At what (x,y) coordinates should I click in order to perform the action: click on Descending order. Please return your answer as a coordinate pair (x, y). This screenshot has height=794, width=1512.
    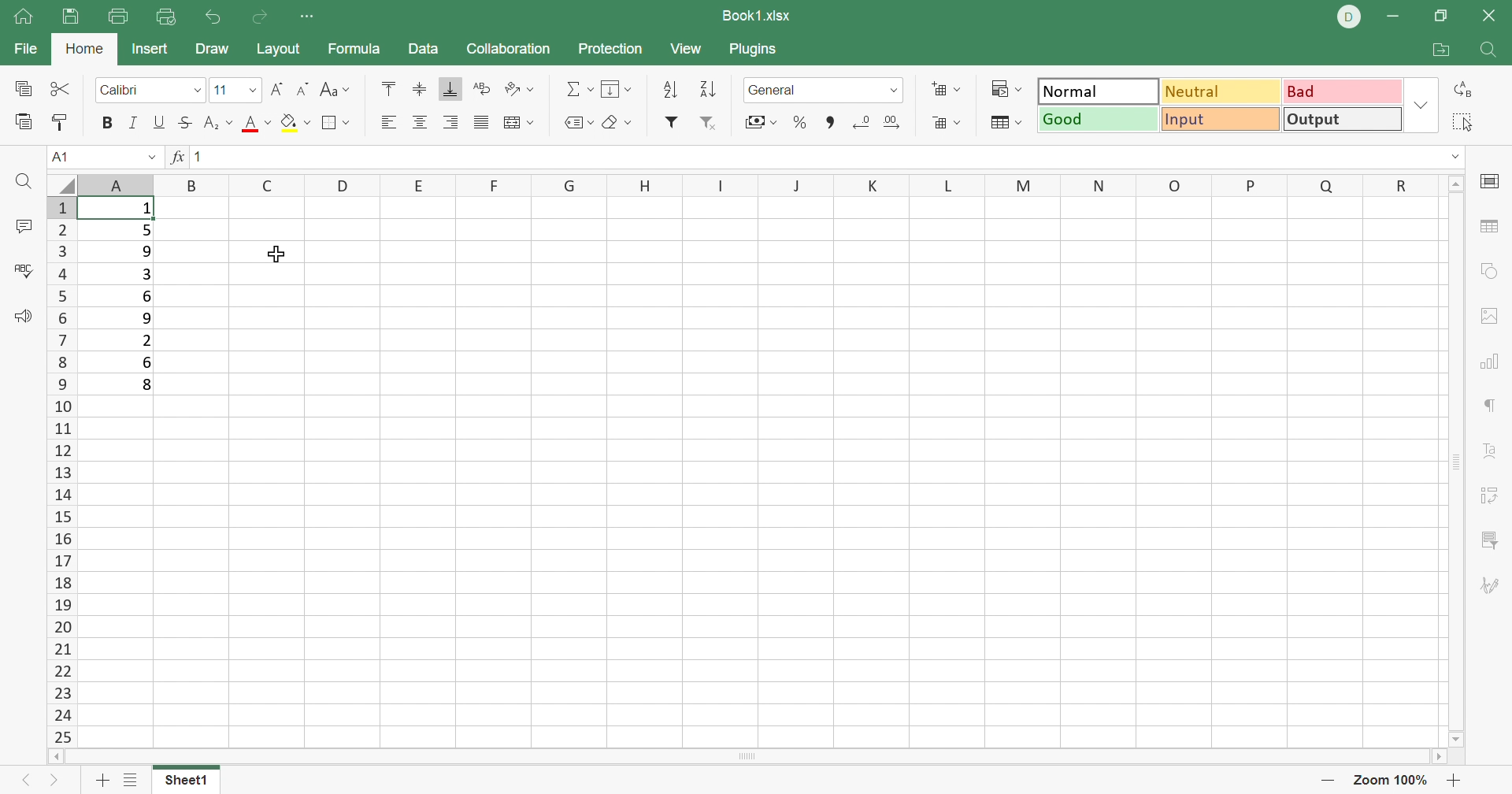
    Looking at the image, I should click on (707, 89).